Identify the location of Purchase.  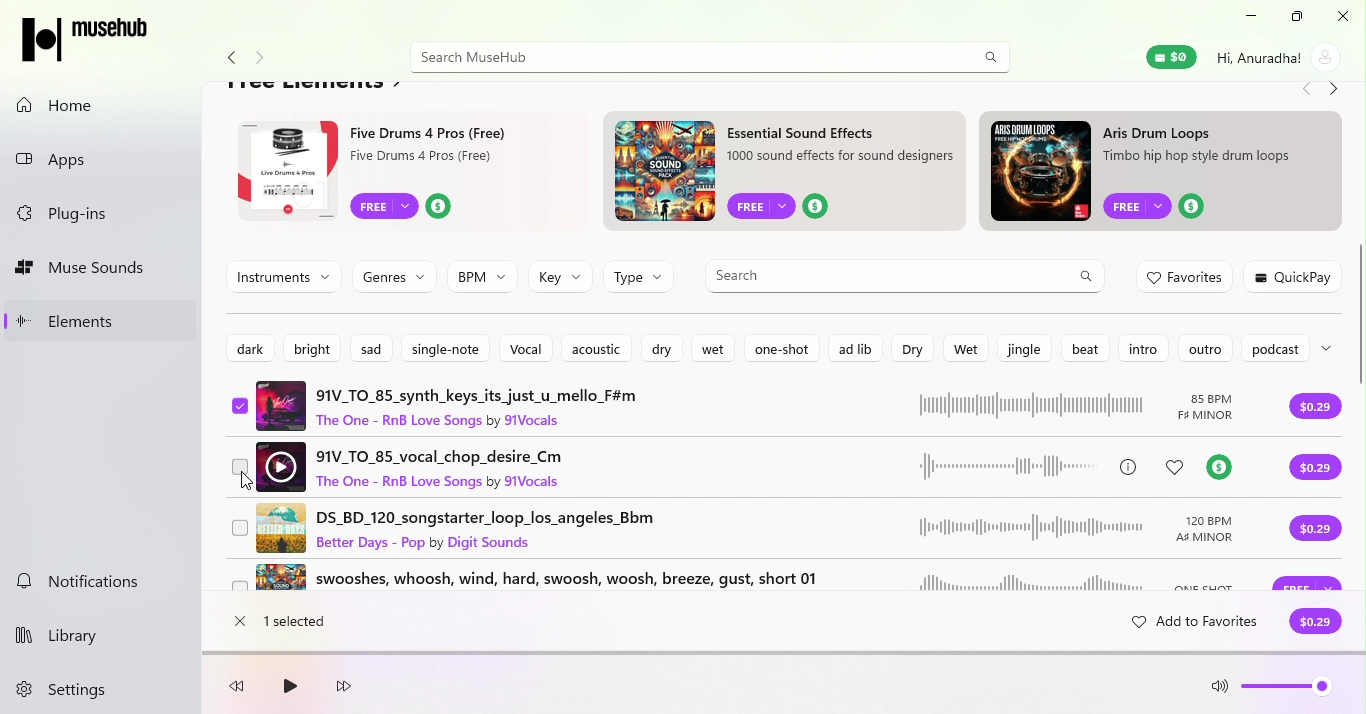
(1308, 584).